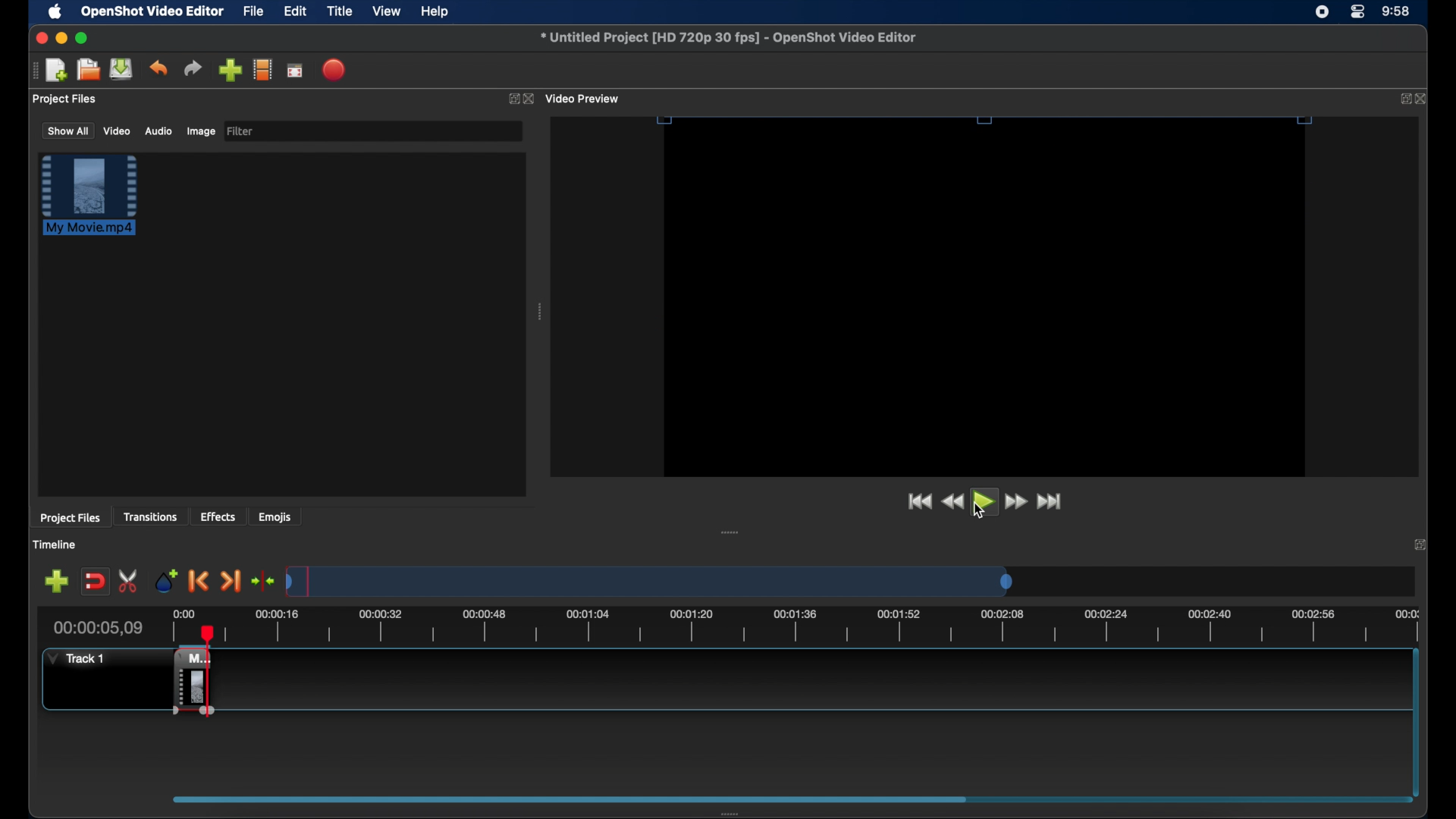 The image size is (1456, 819). What do you see at coordinates (199, 581) in the screenshot?
I see `previous marker` at bounding box center [199, 581].